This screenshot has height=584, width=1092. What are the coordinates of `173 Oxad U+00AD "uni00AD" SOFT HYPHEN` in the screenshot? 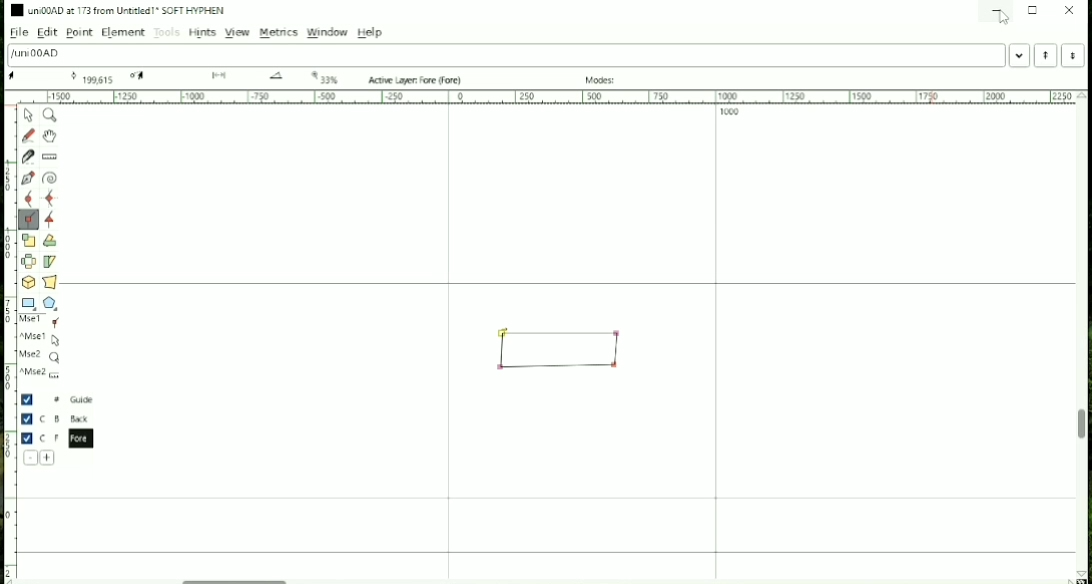 It's located at (1078, 572).